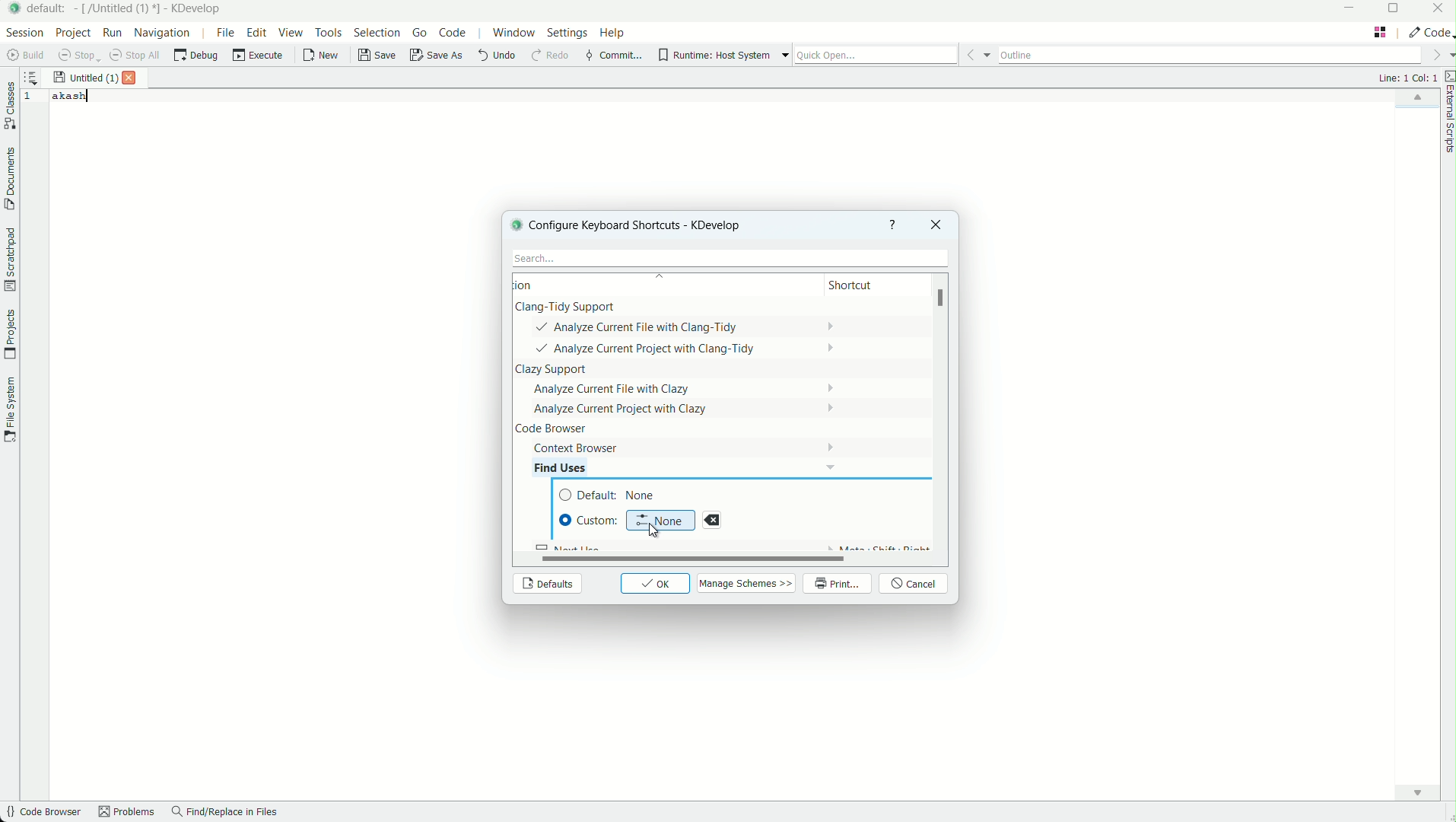  Describe the element at coordinates (712, 520) in the screenshot. I see `remove current shortcut` at that location.